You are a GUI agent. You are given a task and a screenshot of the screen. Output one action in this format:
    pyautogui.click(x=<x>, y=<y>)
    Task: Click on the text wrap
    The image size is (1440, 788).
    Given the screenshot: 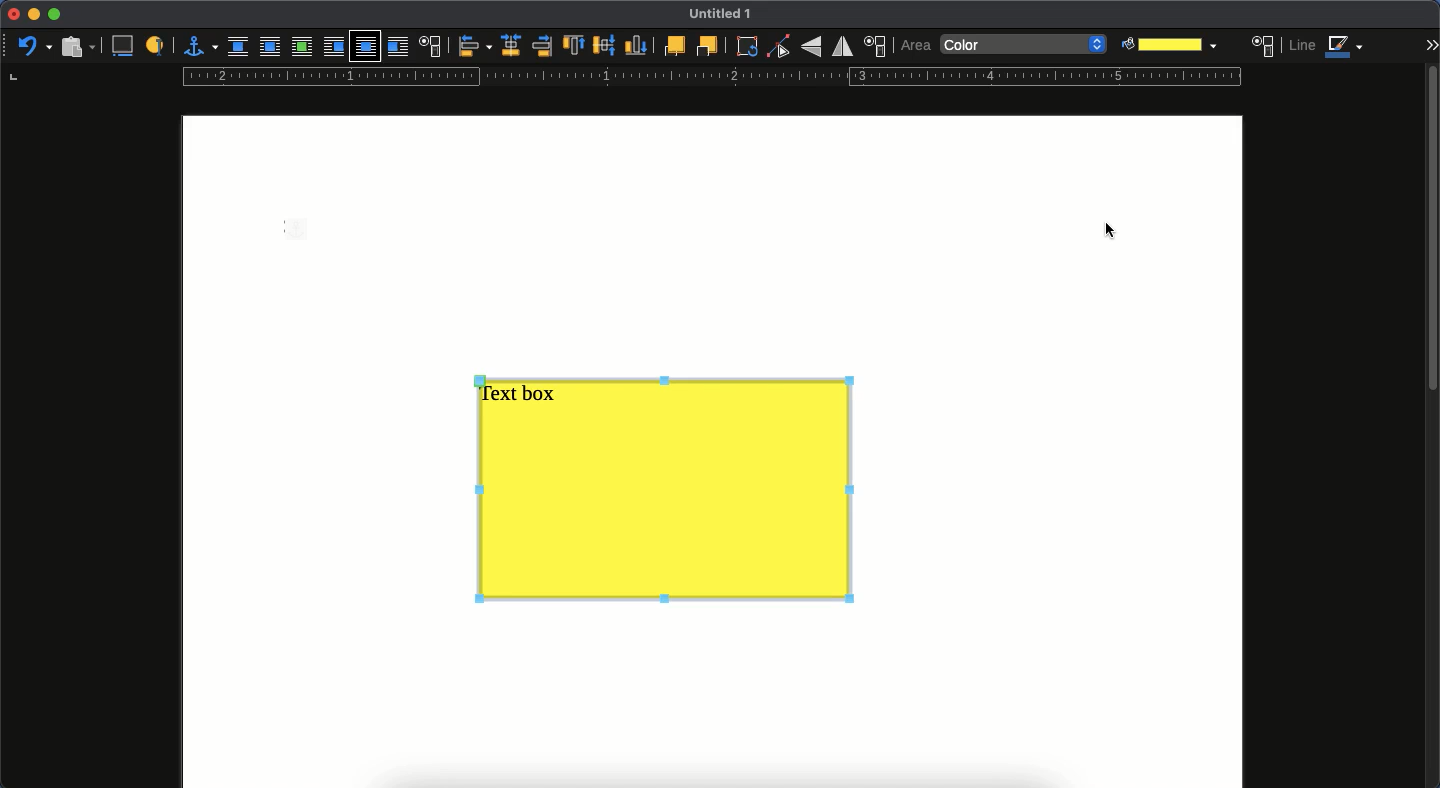 What is the action you would take?
    pyautogui.click(x=432, y=46)
    